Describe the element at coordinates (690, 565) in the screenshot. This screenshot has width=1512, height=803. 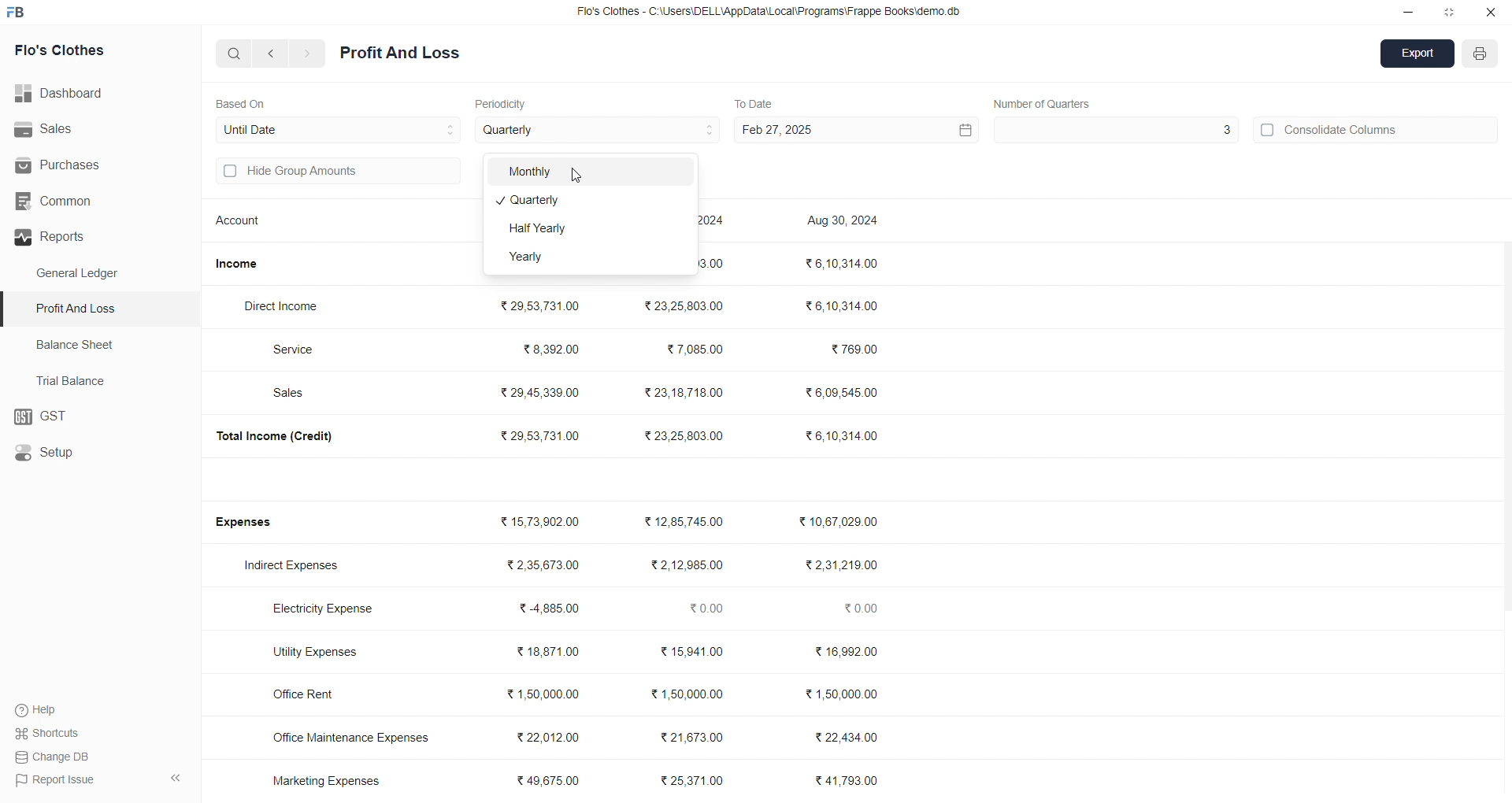
I see `₹2,12,985.00` at that location.